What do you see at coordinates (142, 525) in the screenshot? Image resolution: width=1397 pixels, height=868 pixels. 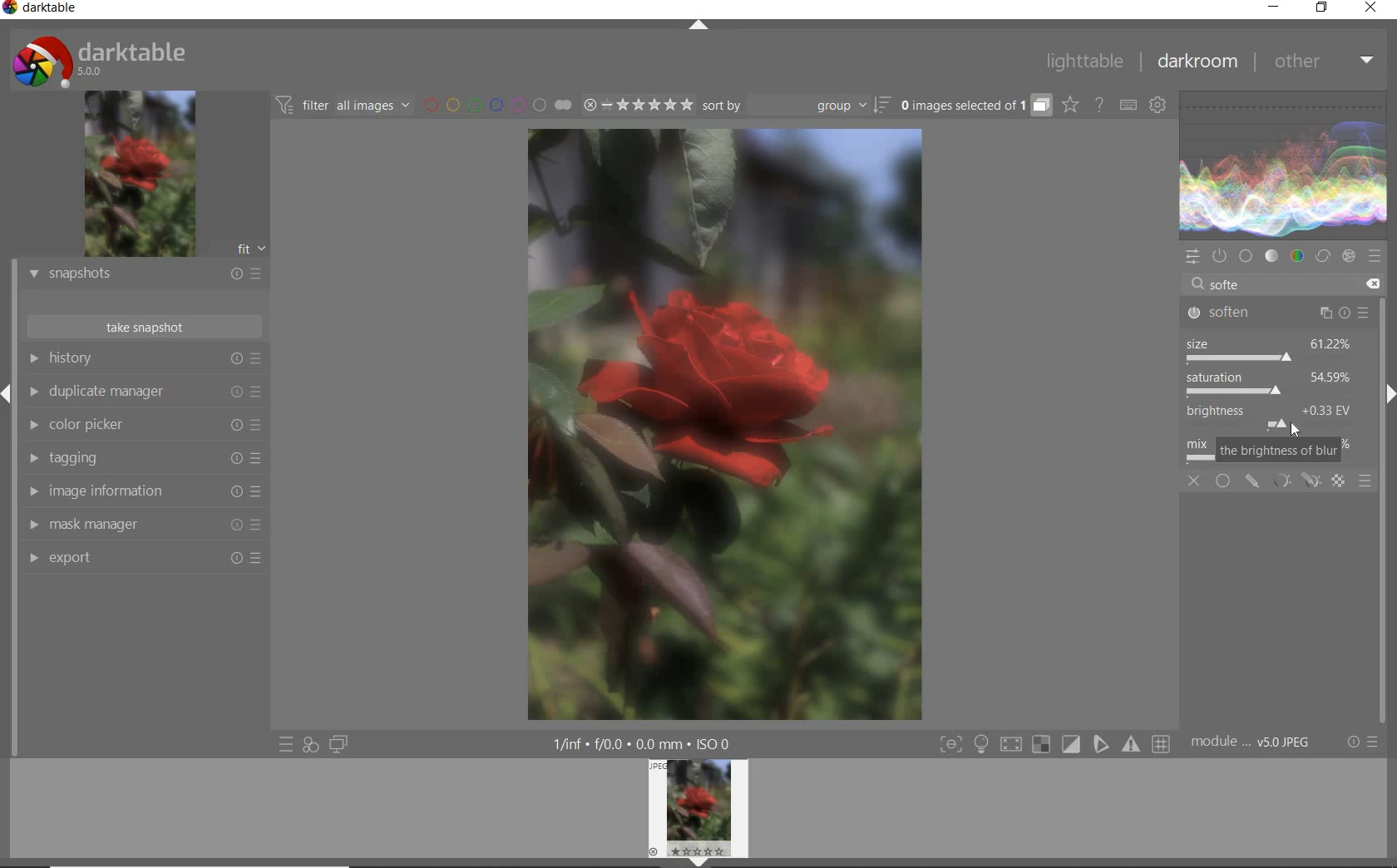 I see `mask manager` at bounding box center [142, 525].